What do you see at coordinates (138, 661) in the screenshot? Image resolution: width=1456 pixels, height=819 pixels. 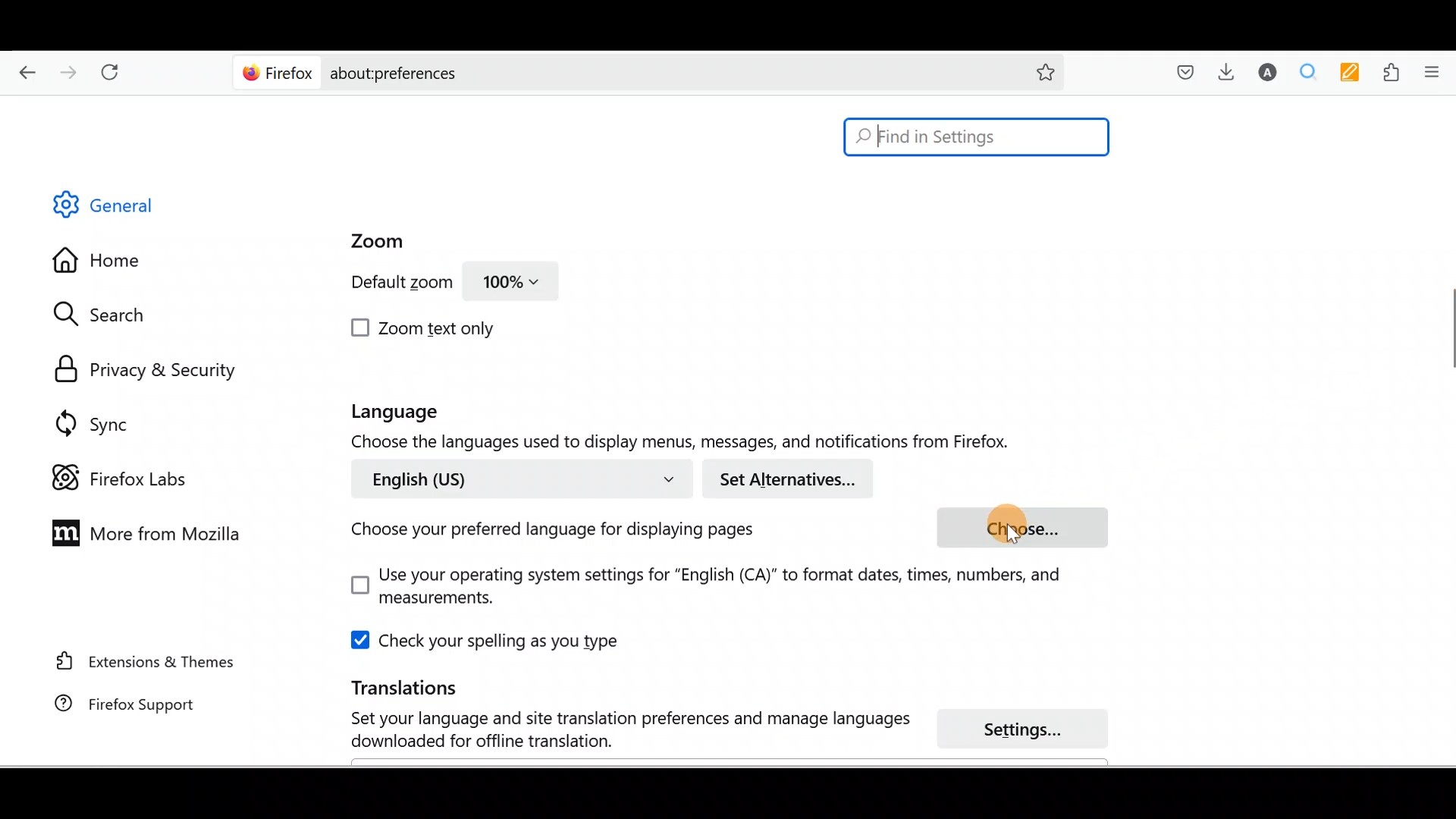 I see `Extension & Themes` at bounding box center [138, 661].